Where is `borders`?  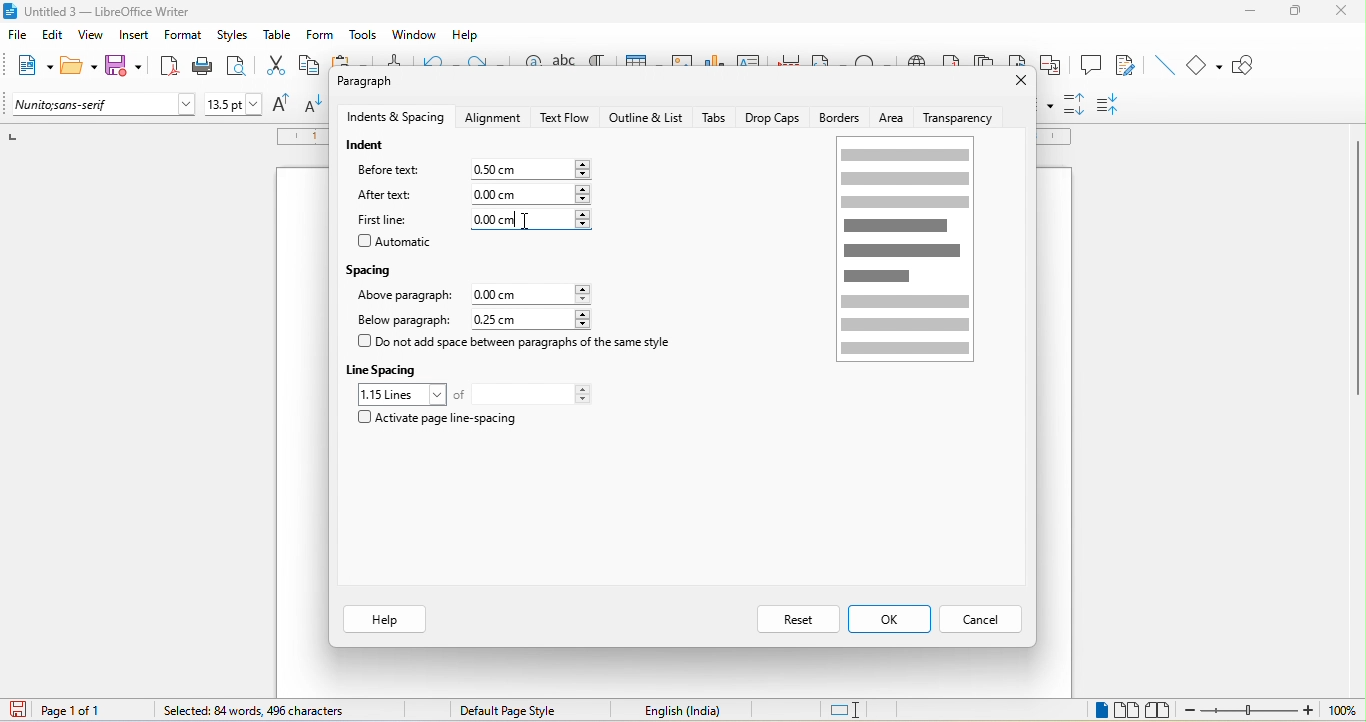 borders is located at coordinates (838, 118).